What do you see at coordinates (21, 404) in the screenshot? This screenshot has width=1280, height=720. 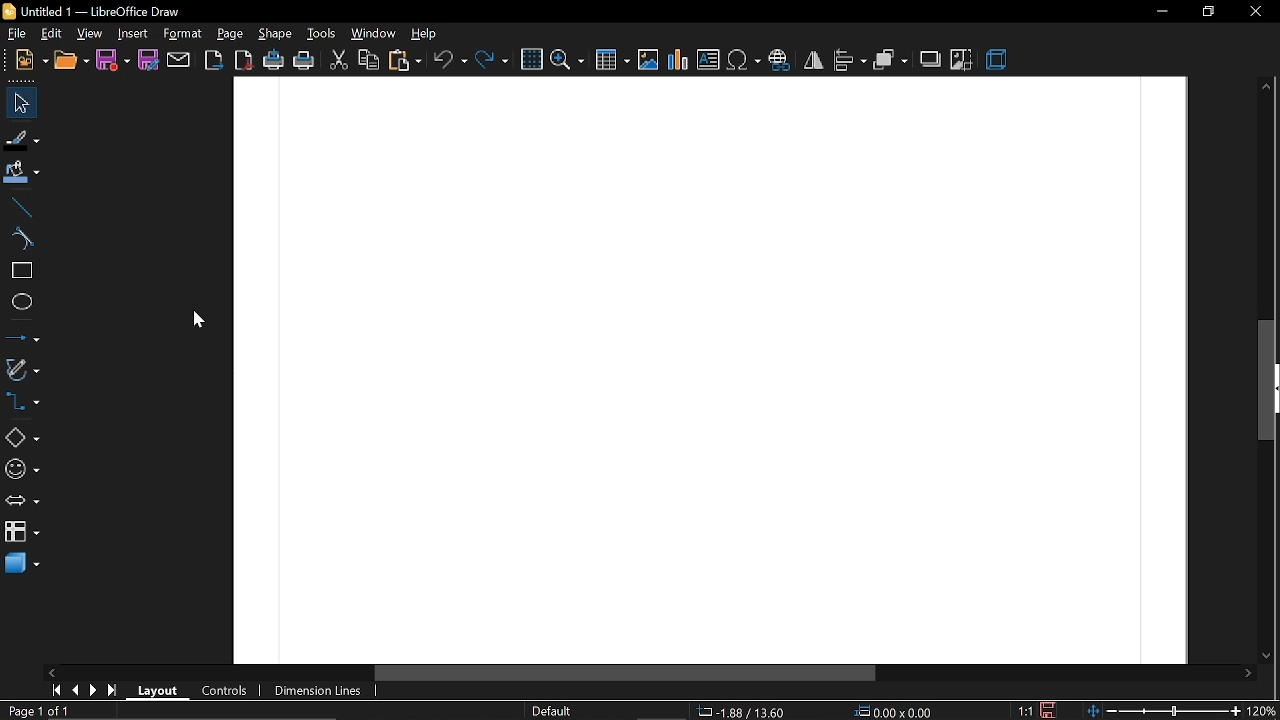 I see `connector` at bounding box center [21, 404].